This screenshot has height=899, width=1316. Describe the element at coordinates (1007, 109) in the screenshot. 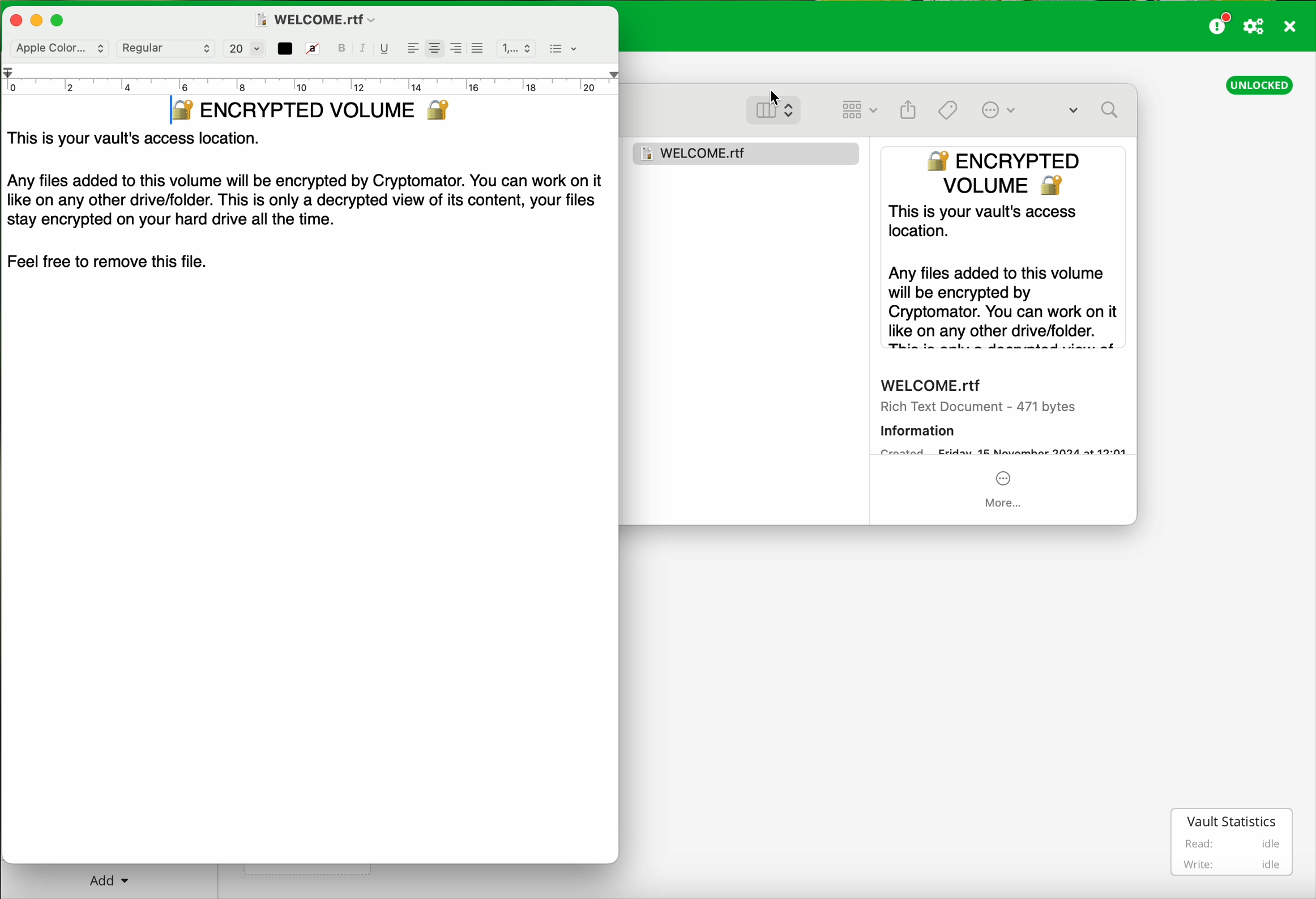

I see `More Options` at that location.